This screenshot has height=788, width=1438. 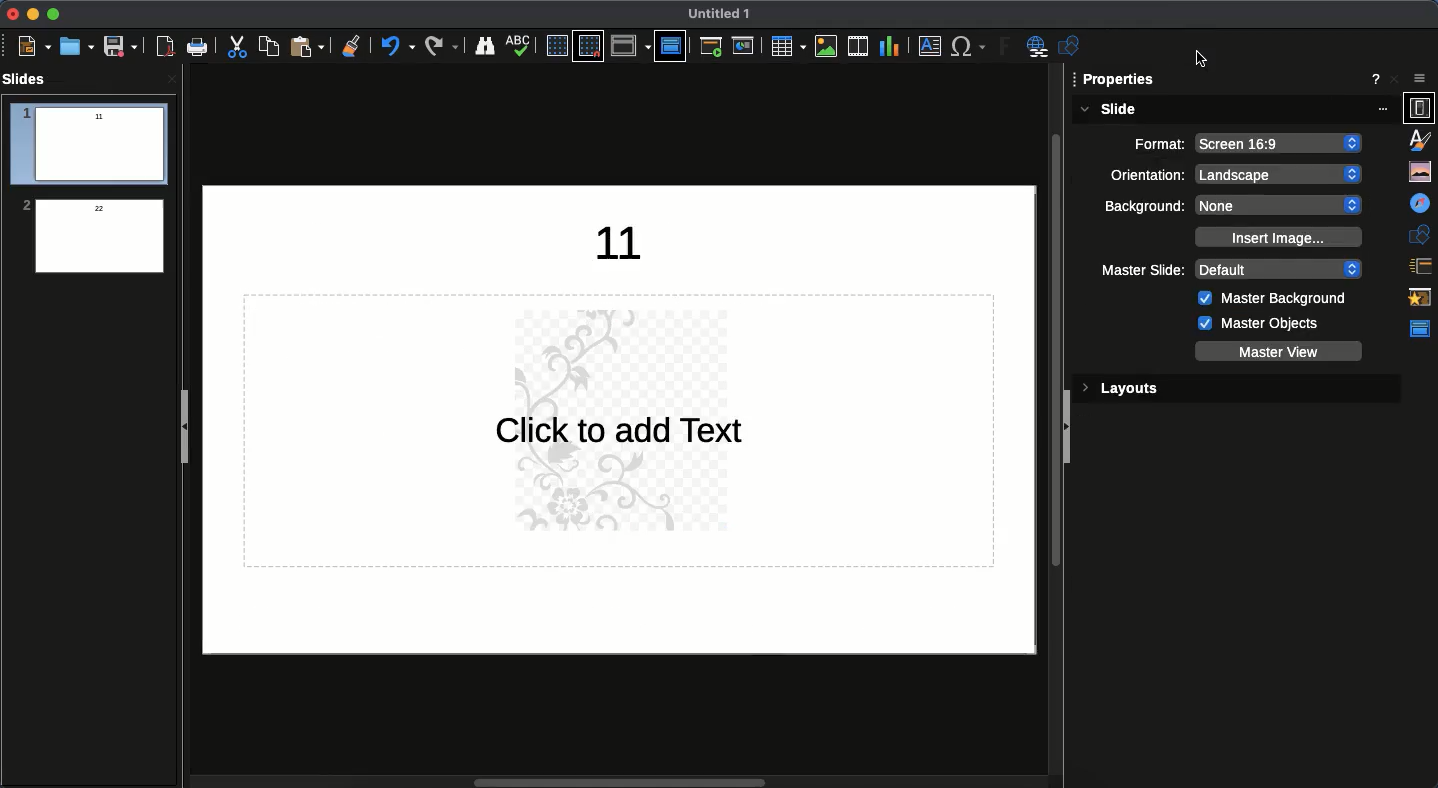 I want to click on close, so click(x=172, y=79).